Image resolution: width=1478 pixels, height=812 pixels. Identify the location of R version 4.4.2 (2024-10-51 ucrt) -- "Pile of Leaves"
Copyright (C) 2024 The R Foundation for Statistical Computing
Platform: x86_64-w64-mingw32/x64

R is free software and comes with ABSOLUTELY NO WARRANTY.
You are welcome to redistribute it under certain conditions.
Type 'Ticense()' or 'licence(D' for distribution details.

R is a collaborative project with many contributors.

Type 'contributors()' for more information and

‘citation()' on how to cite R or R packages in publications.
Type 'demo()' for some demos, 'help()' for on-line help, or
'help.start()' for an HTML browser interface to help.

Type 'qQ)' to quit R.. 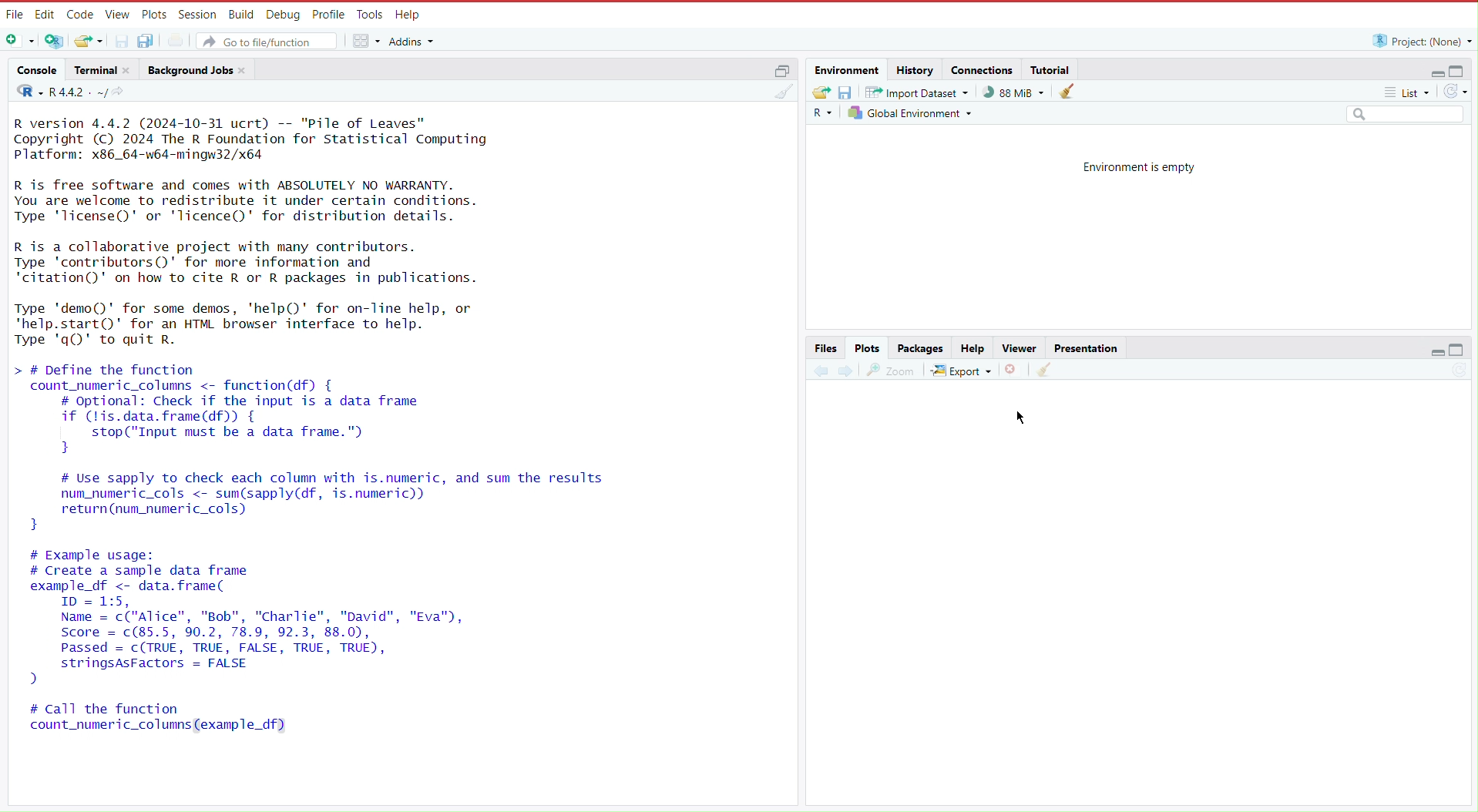
(277, 233).